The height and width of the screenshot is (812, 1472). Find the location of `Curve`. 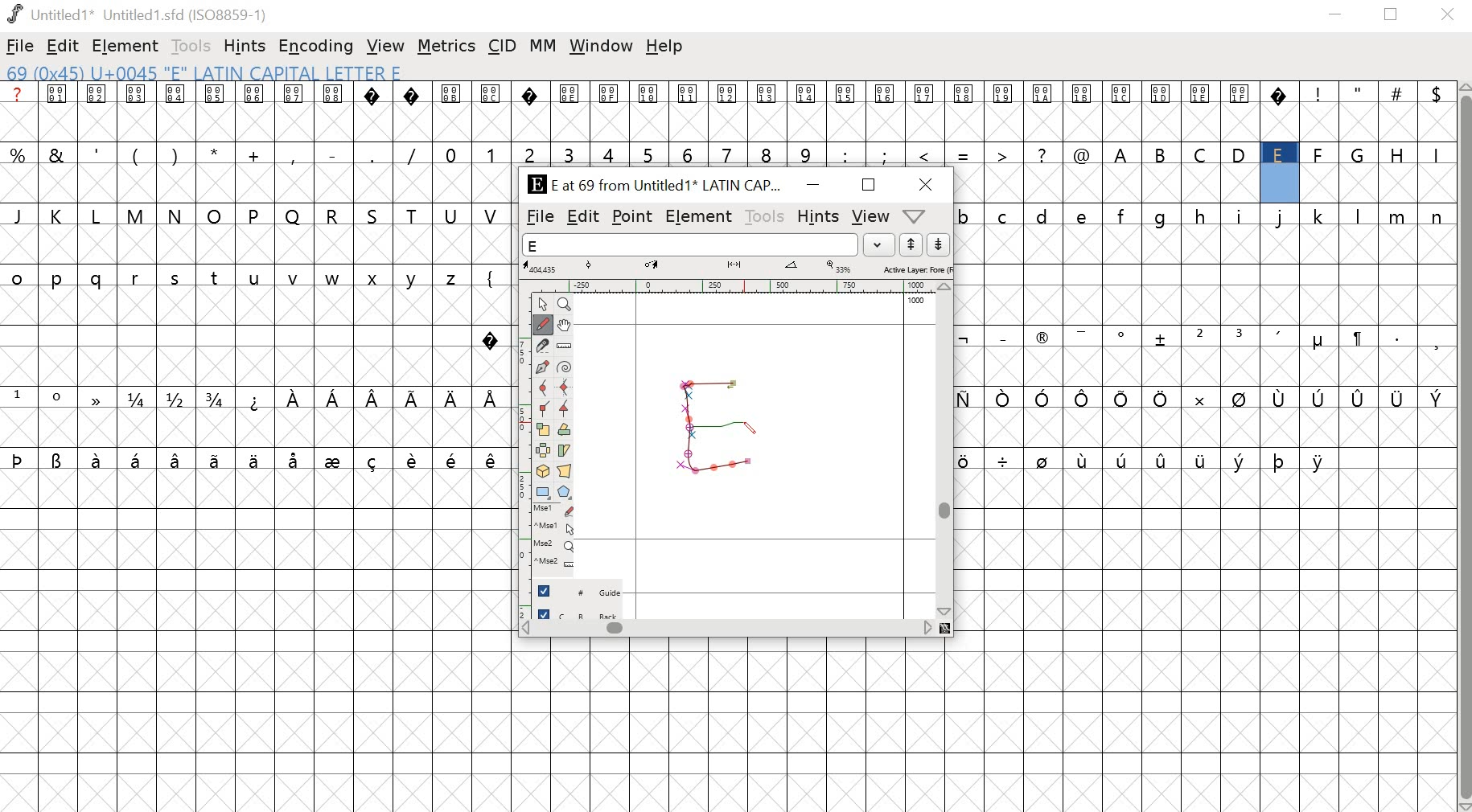

Curve is located at coordinates (544, 388).